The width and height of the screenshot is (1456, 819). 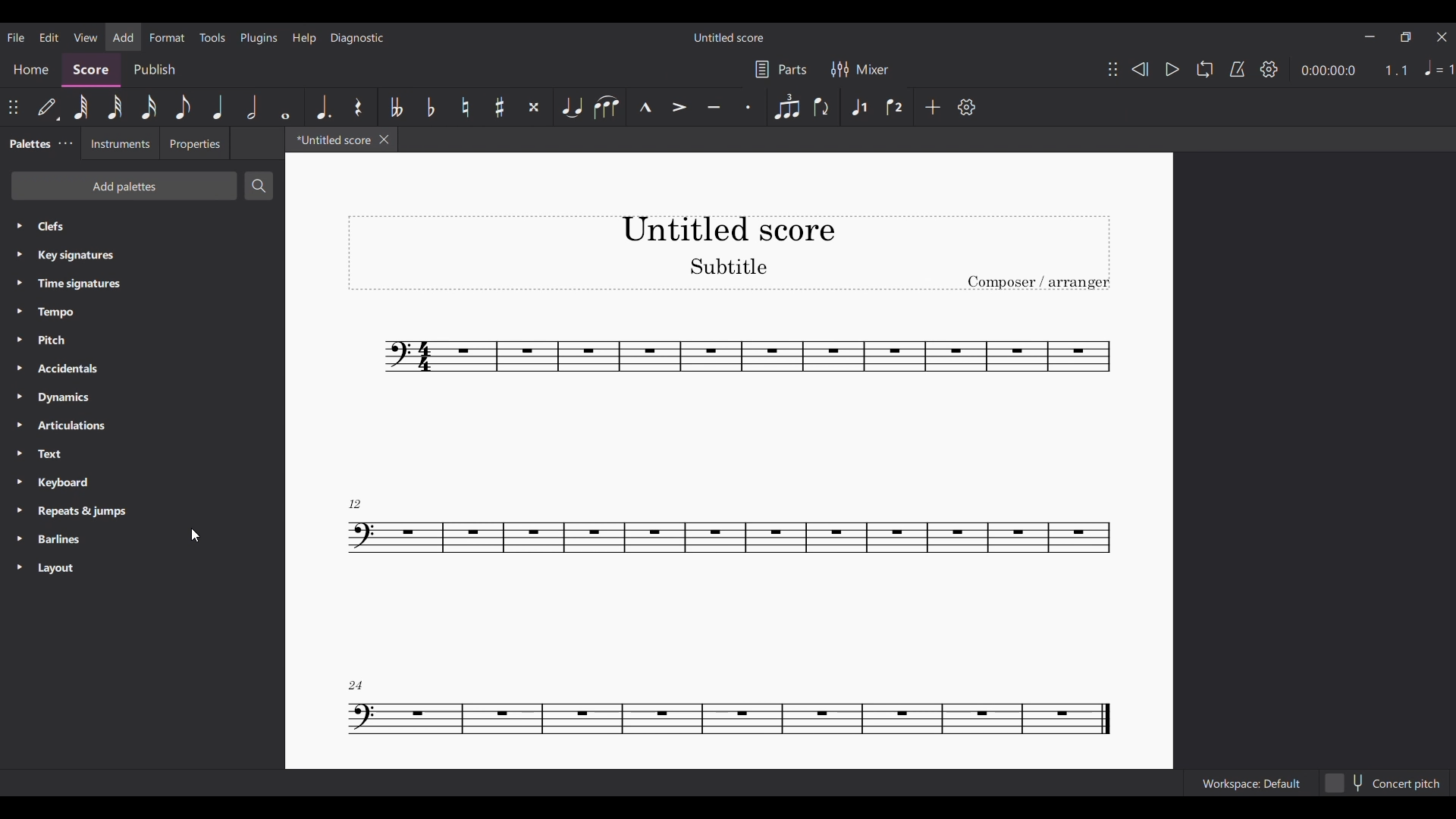 I want to click on Half note, so click(x=788, y=106).